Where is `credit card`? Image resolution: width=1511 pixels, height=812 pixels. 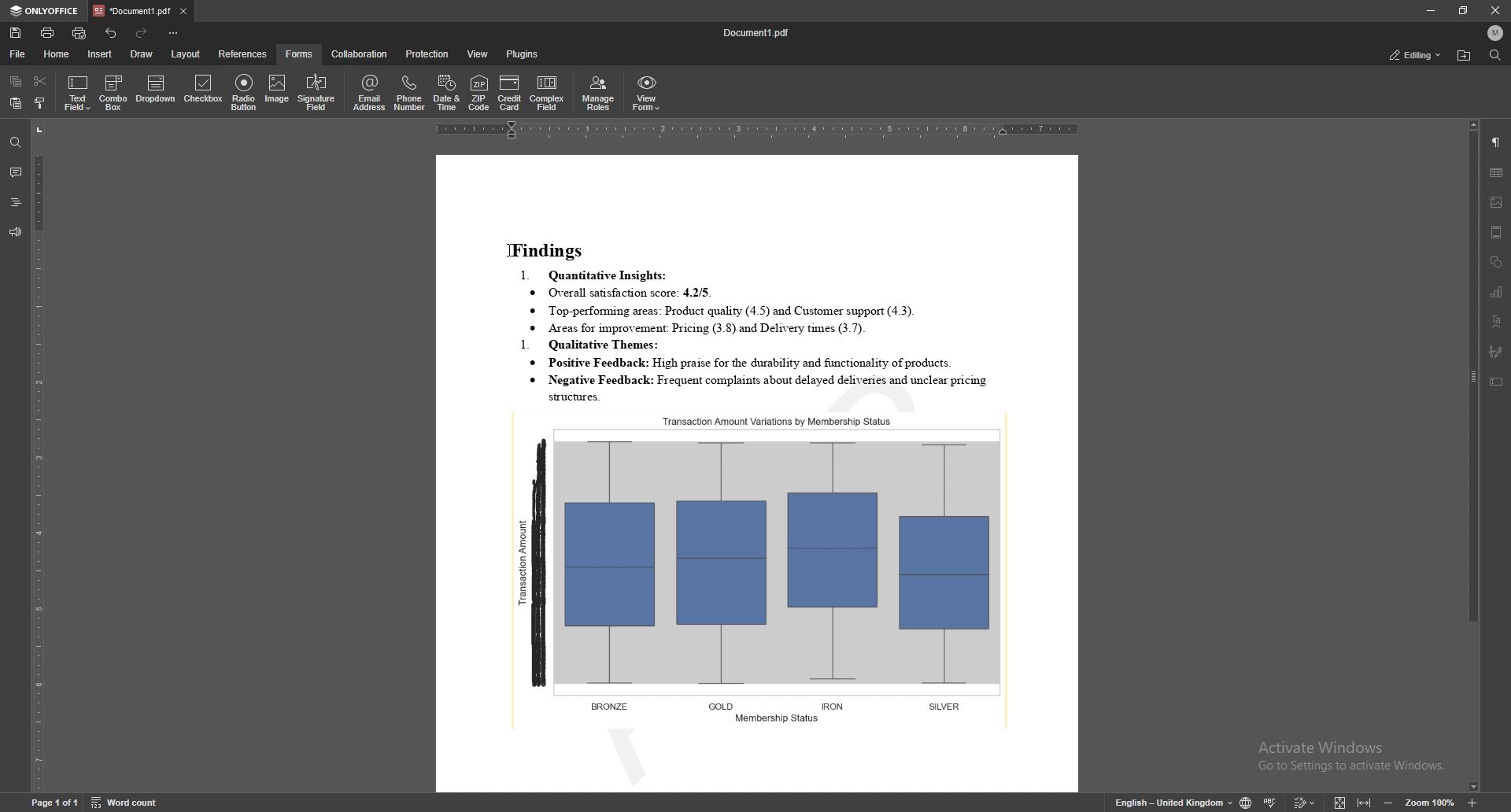
credit card is located at coordinates (511, 93).